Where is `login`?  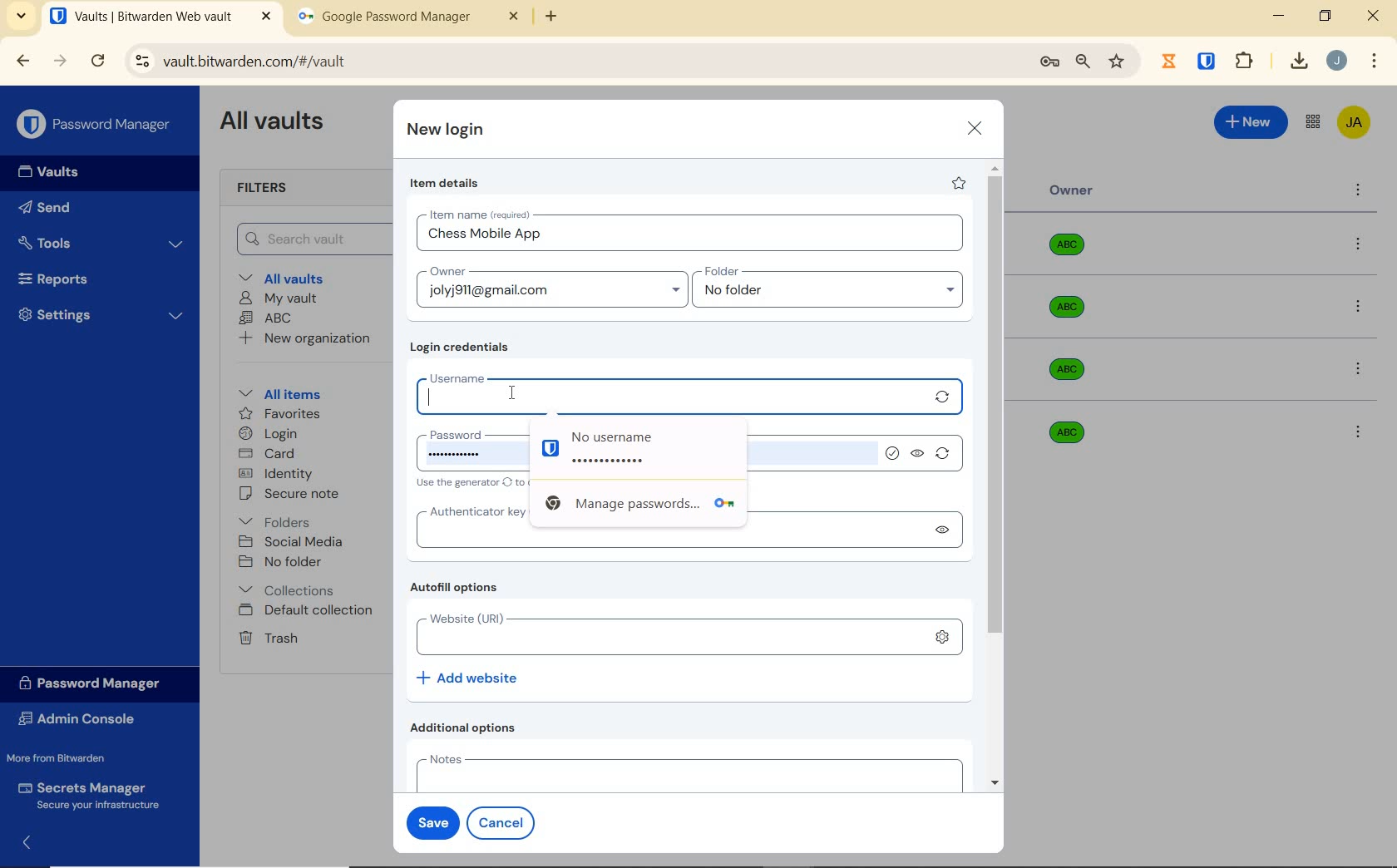 login is located at coordinates (268, 435).